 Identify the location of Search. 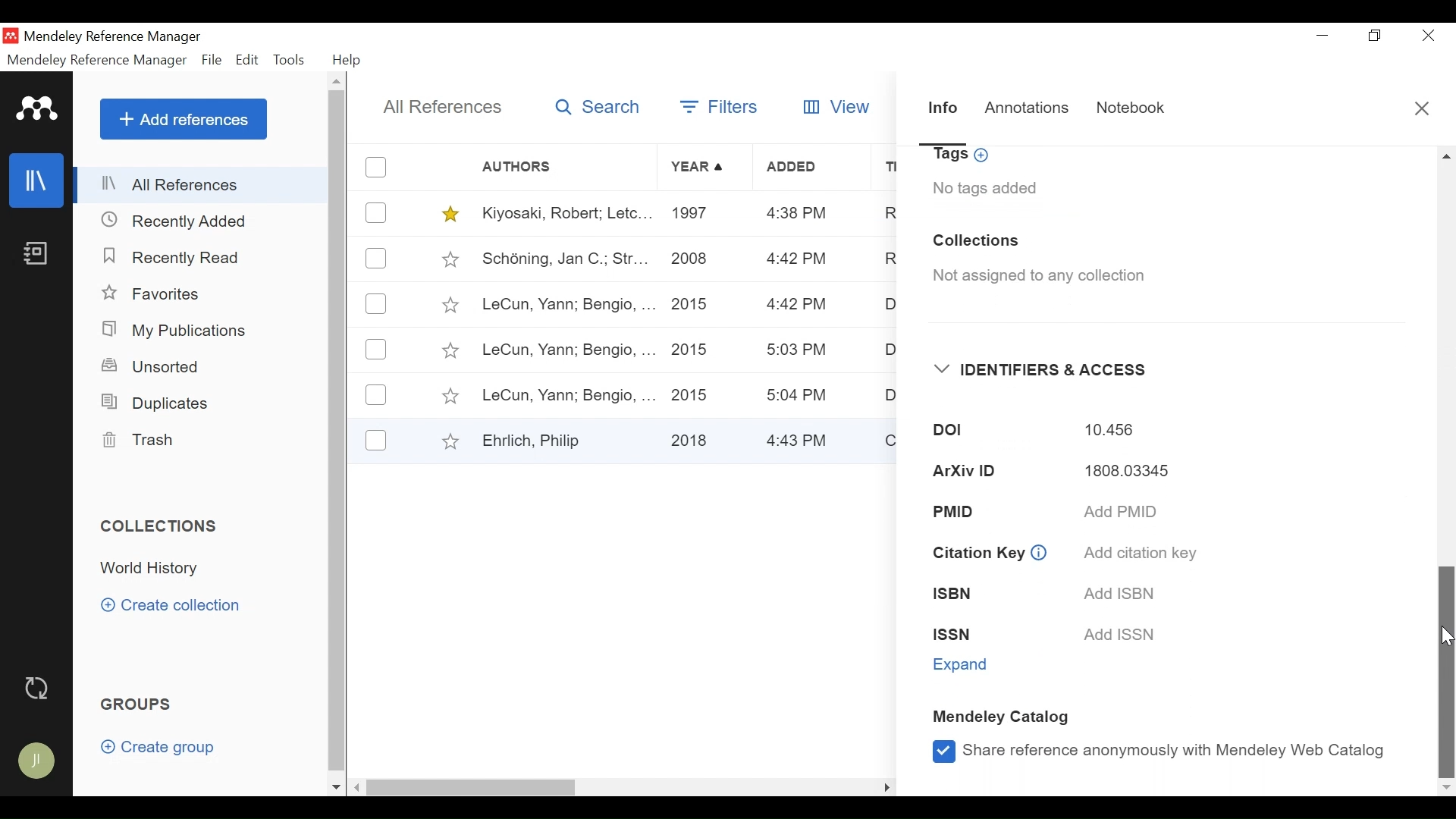
(595, 109).